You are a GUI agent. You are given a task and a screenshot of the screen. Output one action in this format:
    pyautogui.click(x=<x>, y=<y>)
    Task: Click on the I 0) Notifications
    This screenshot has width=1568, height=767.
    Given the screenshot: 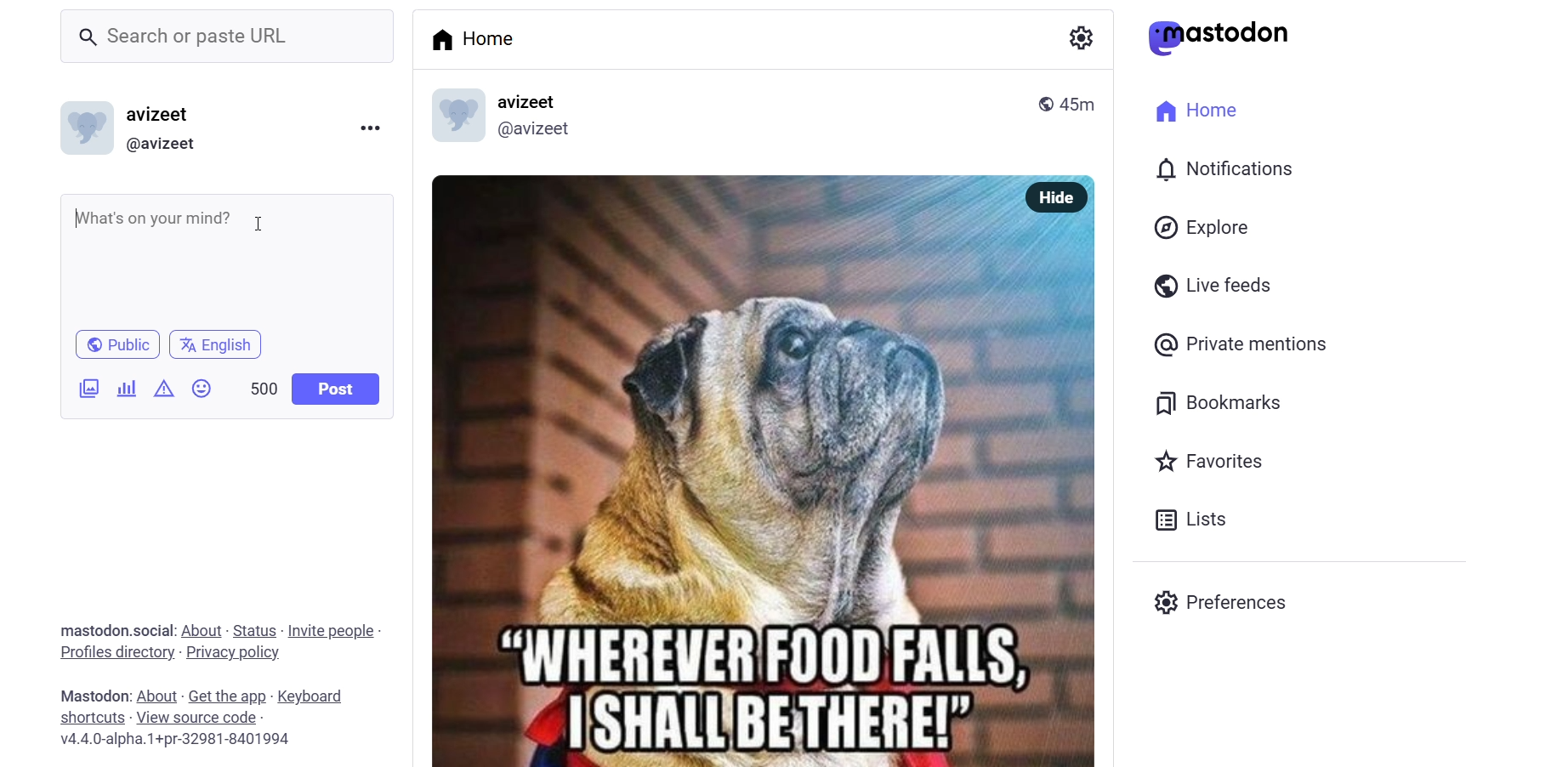 What is the action you would take?
    pyautogui.click(x=1241, y=168)
    